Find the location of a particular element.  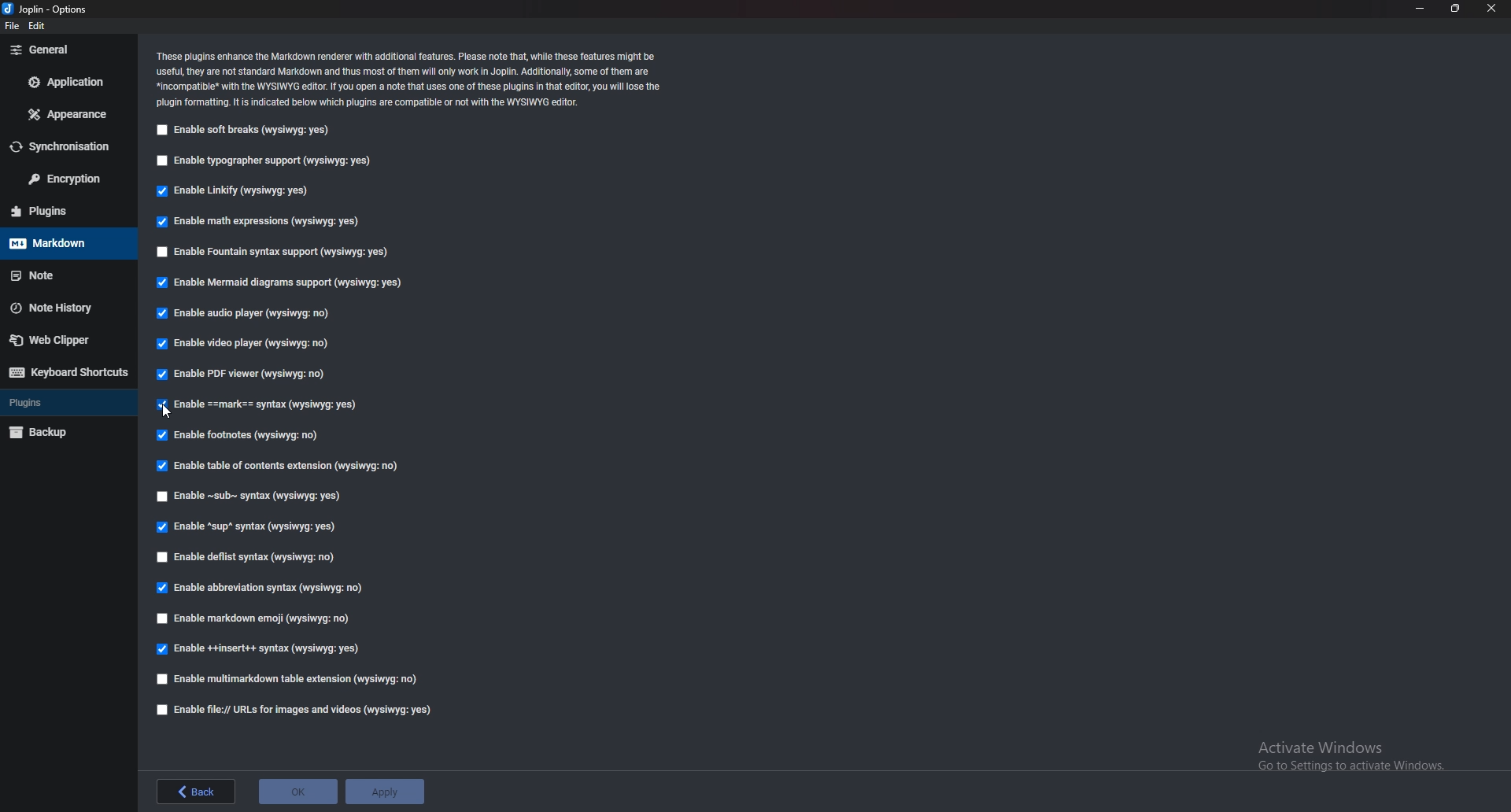

enable table of contents extensions  is located at coordinates (277, 467).